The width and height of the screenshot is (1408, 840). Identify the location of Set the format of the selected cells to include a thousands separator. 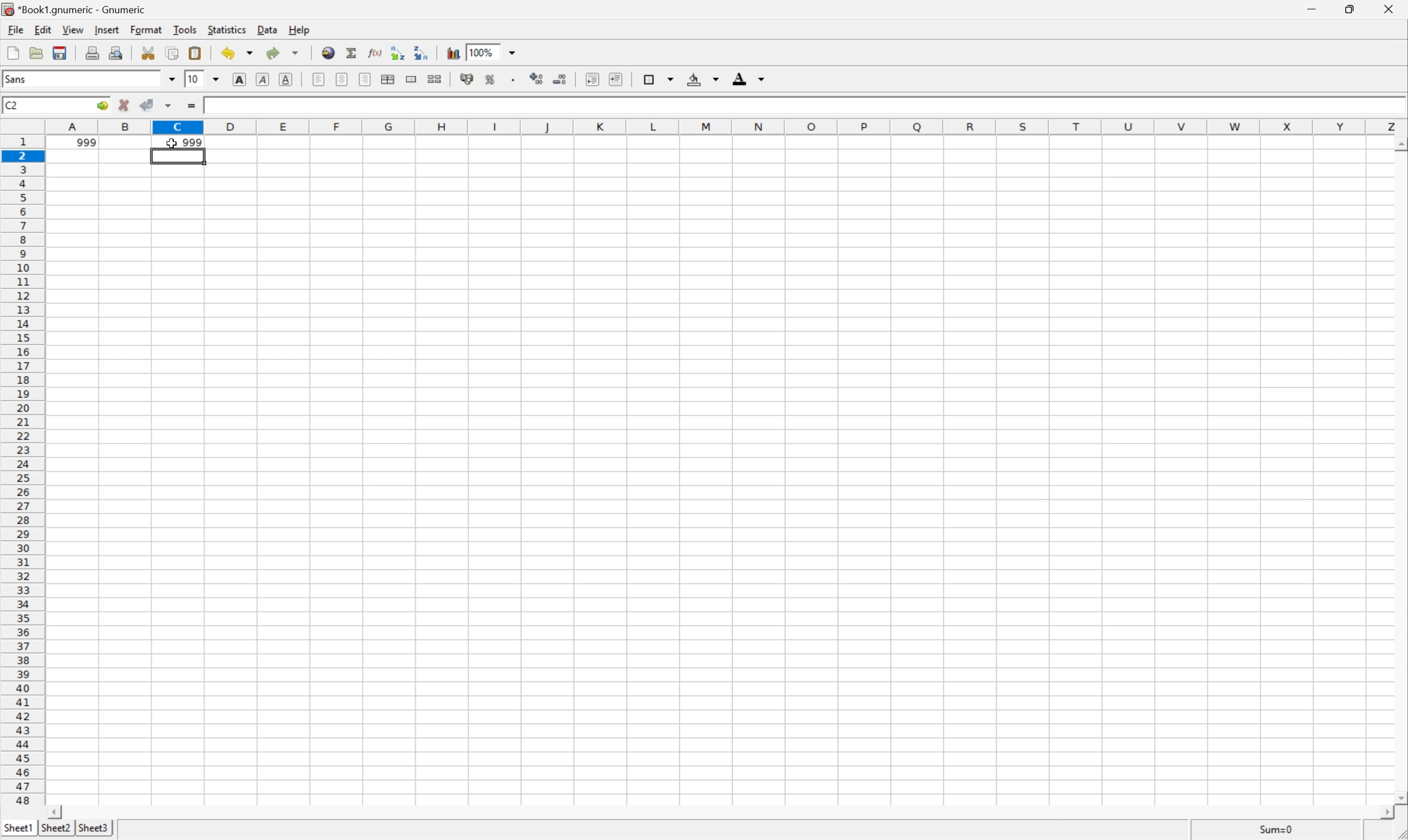
(514, 79).